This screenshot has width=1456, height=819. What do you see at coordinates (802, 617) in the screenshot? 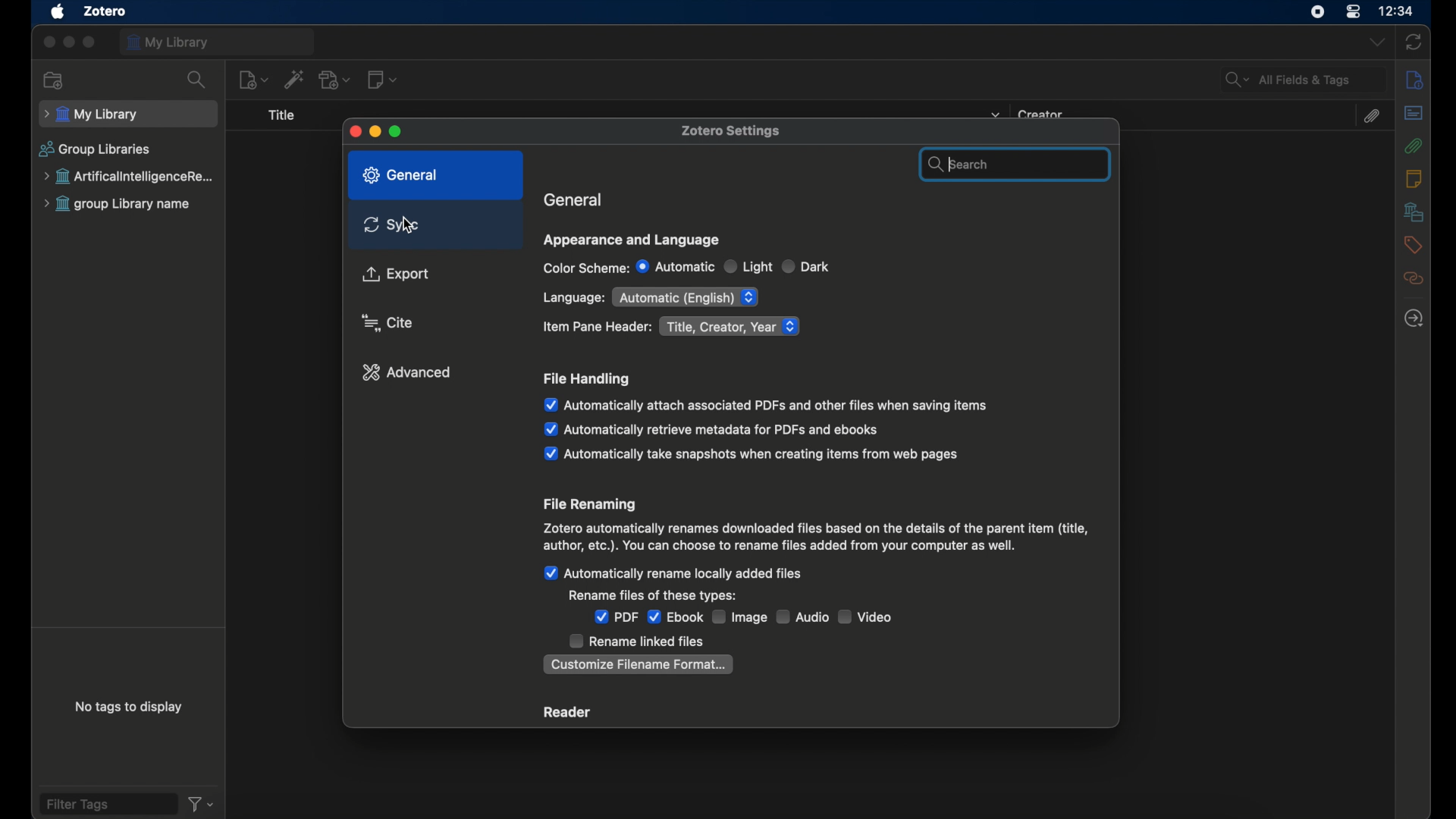
I see `audio checkbox` at bounding box center [802, 617].